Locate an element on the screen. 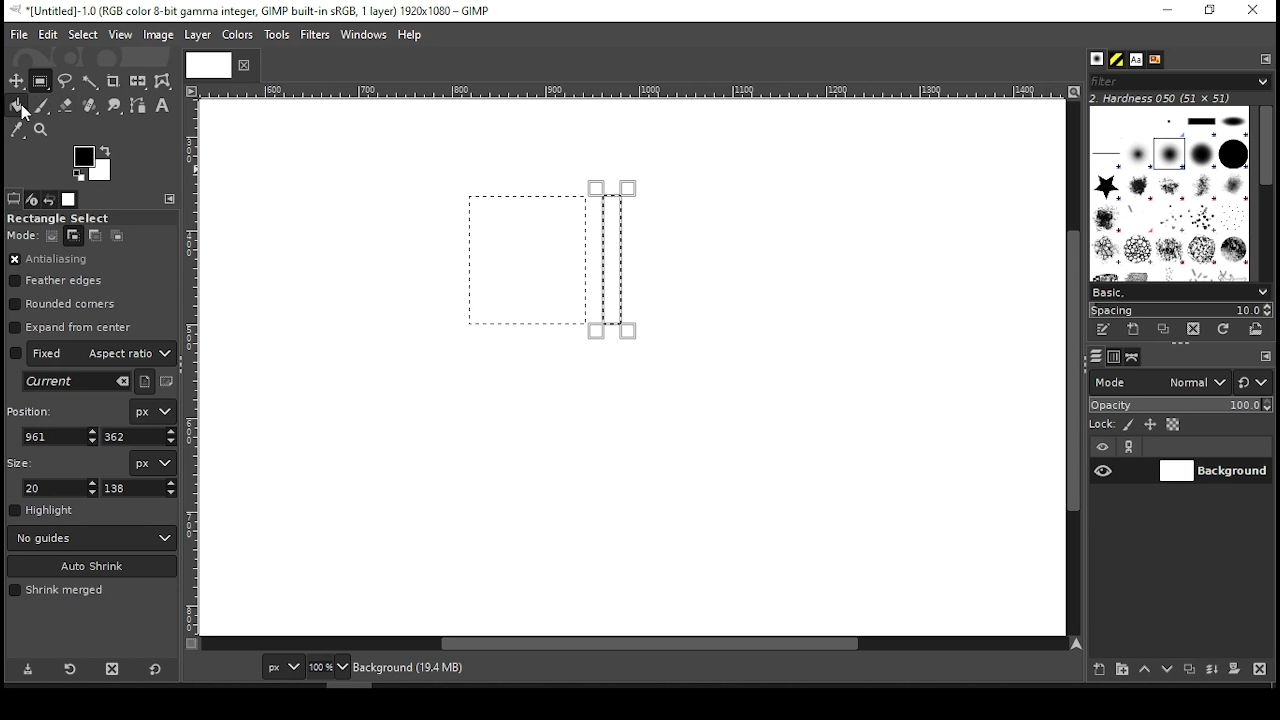 The width and height of the screenshot is (1280, 720). tools is located at coordinates (279, 36).